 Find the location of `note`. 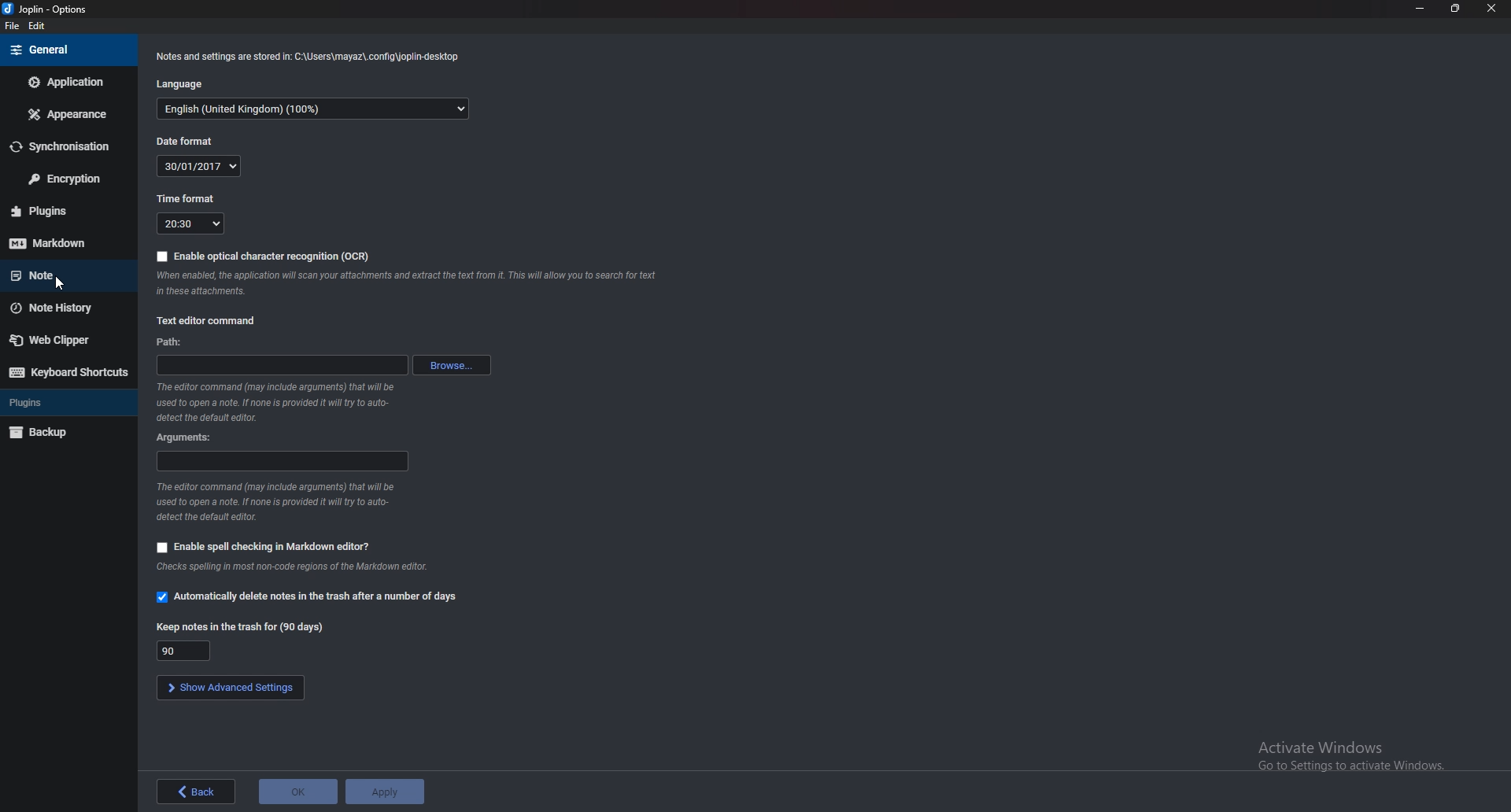

note is located at coordinates (60, 276).